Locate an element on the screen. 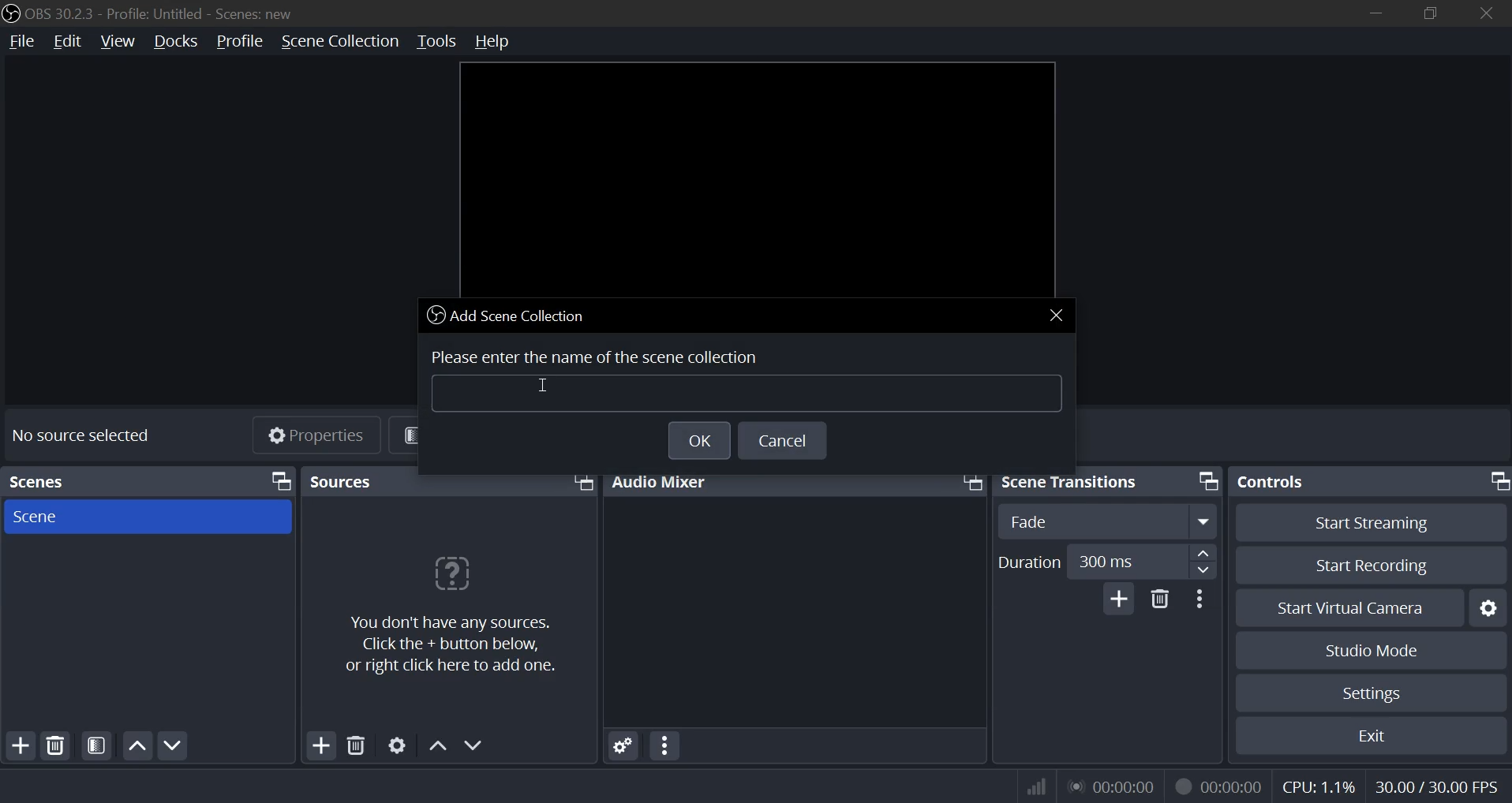 The image size is (1512, 803). add scene collection is located at coordinates (510, 315).